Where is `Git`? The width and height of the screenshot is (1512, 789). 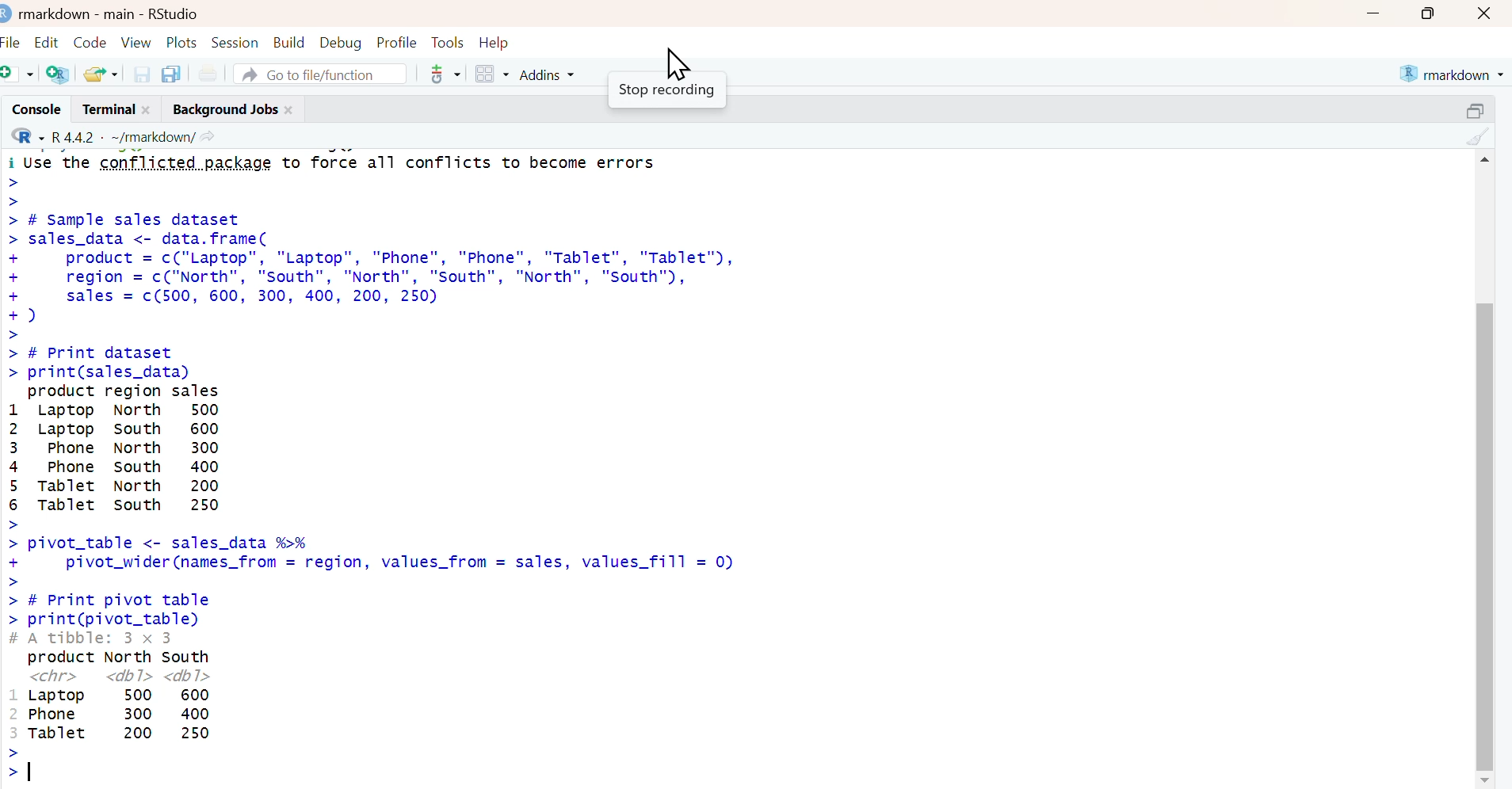 Git is located at coordinates (444, 75).